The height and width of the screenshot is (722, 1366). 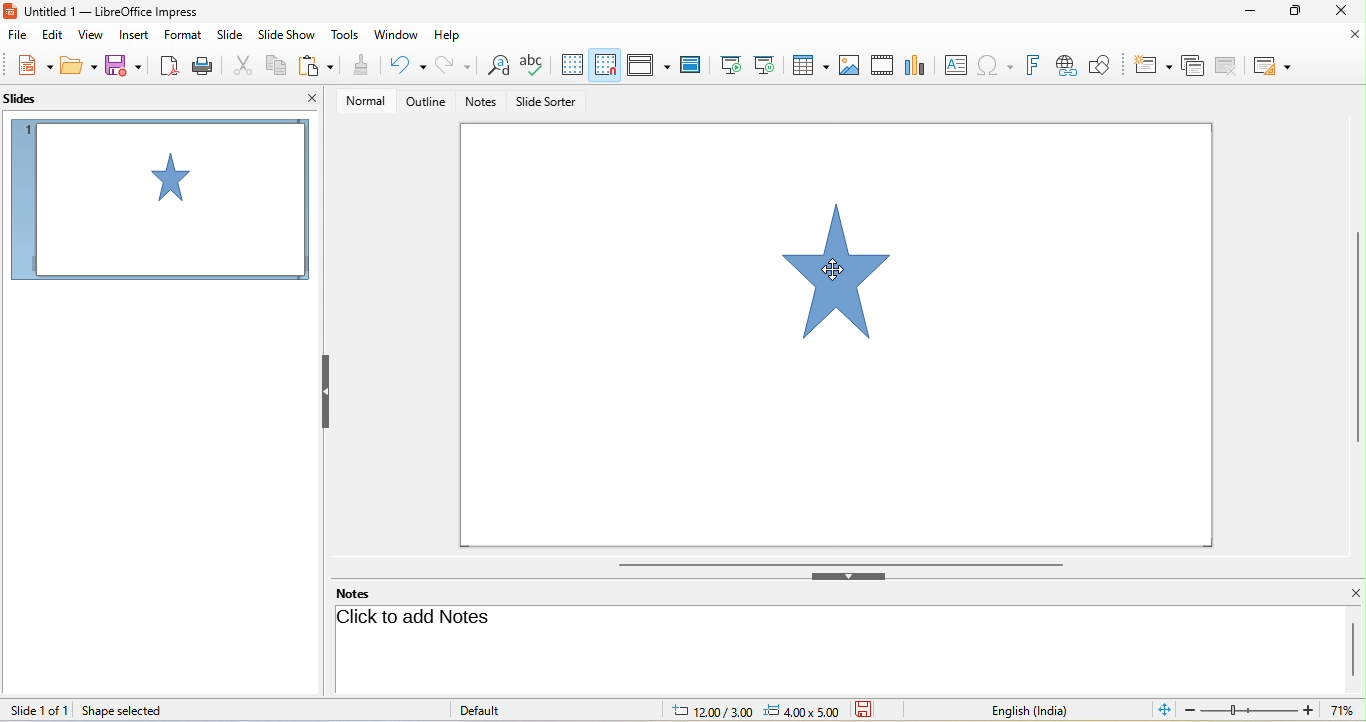 I want to click on fit slide to current window, so click(x=1164, y=711).